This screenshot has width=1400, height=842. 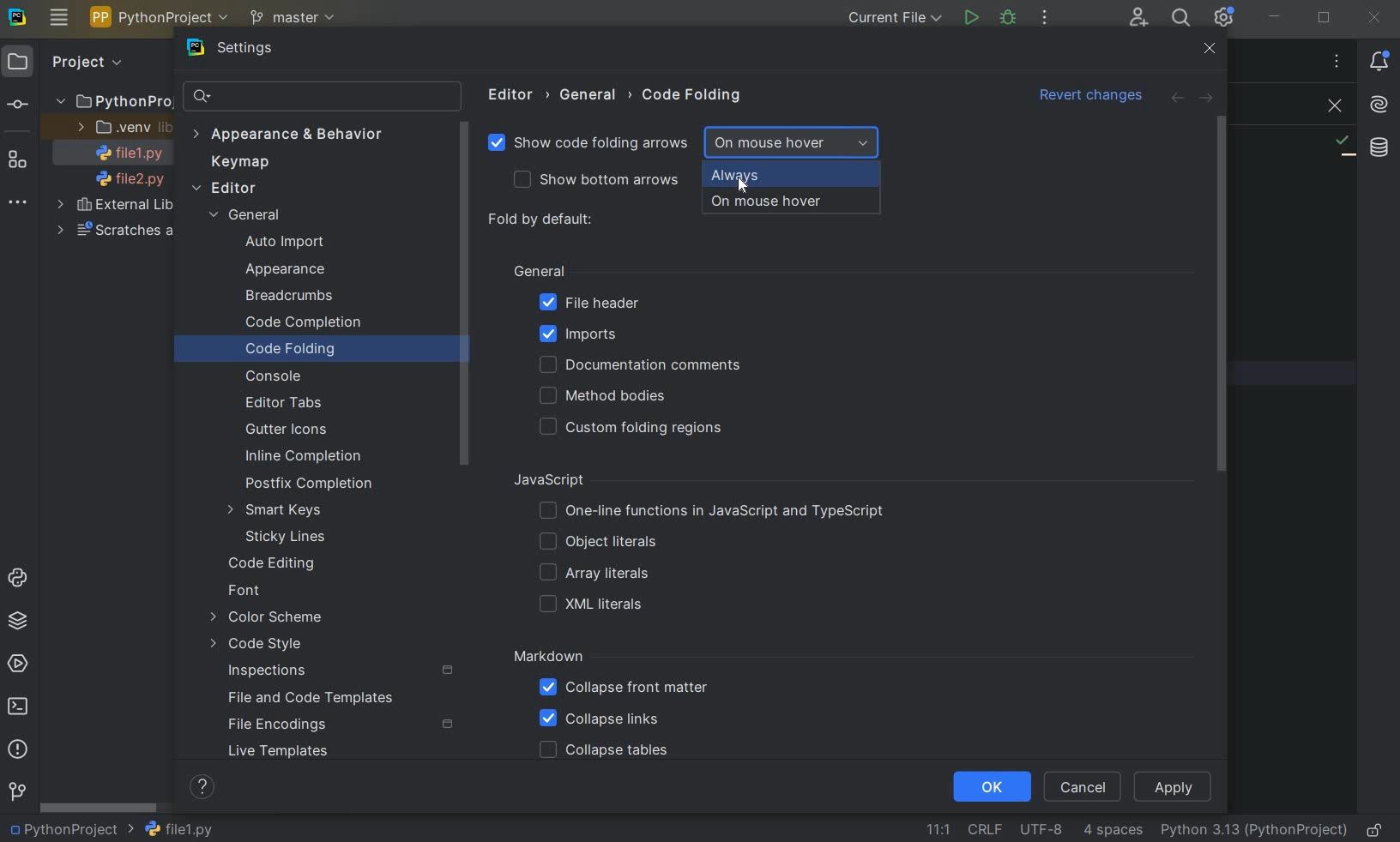 What do you see at coordinates (283, 400) in the screenshot?
I see `EDITOR TABS` at bounding box center [283, 400].